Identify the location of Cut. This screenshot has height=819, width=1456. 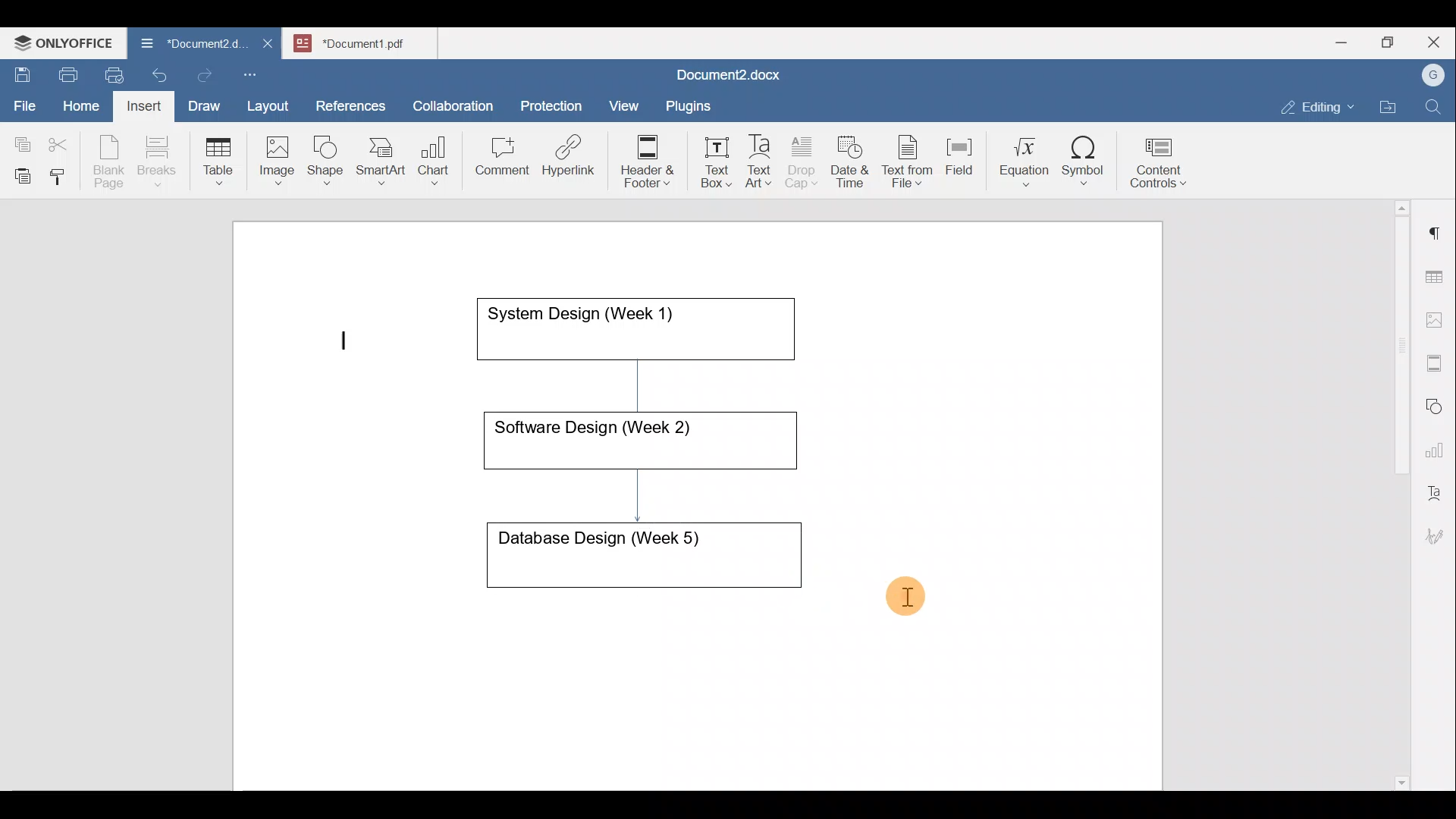
(64, 141).